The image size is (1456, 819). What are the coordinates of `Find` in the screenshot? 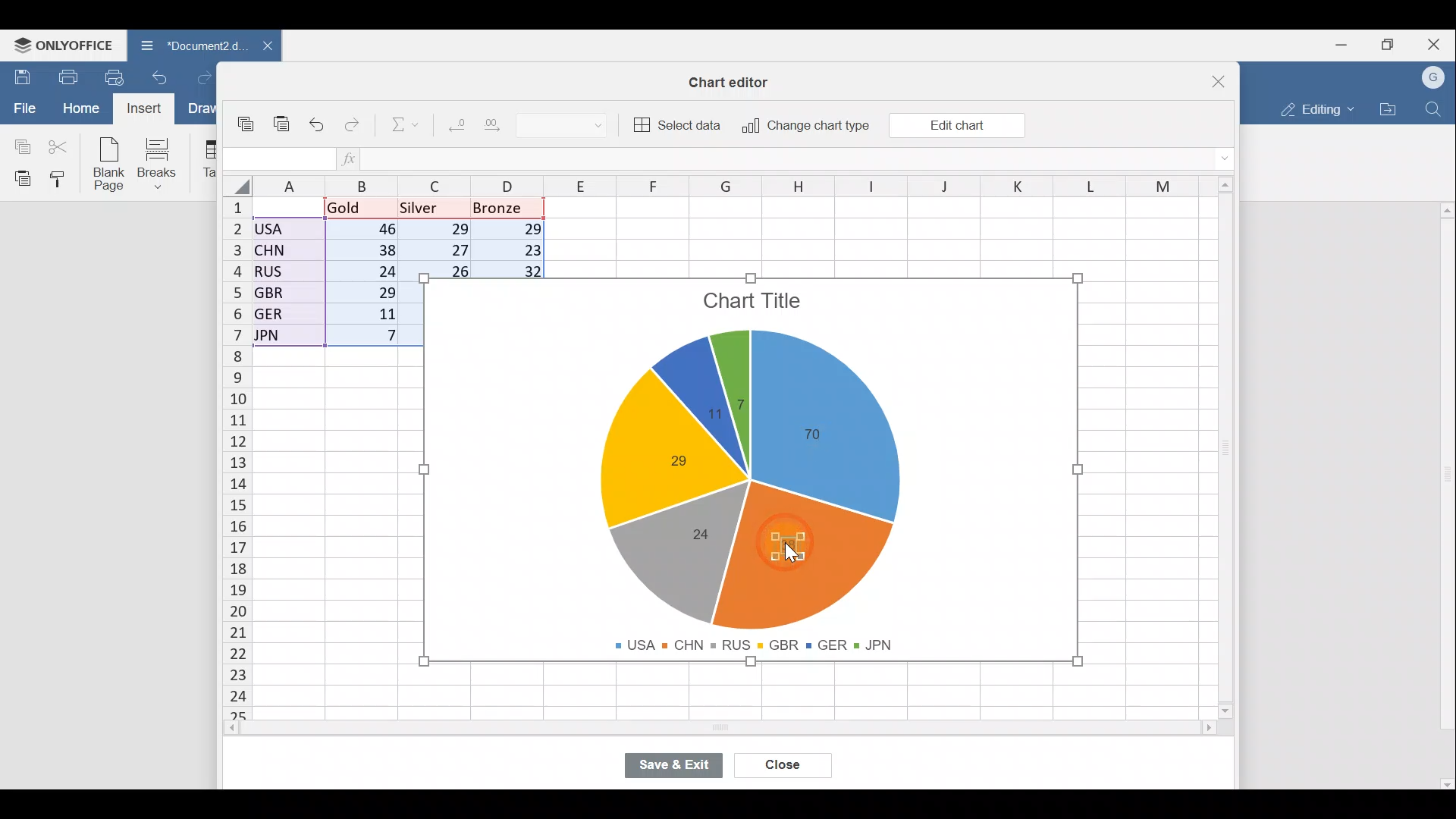 It's located at (1436, 106).